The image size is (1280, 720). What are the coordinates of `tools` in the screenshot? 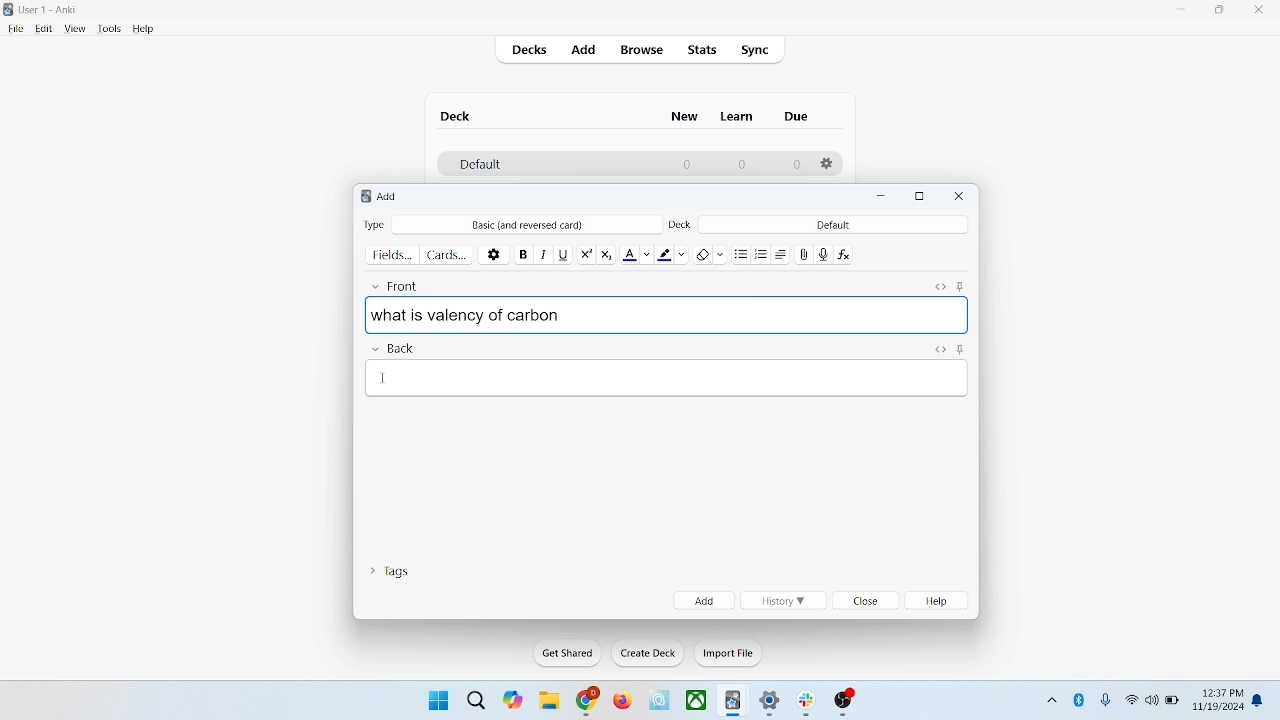 It's located at (108, 29).